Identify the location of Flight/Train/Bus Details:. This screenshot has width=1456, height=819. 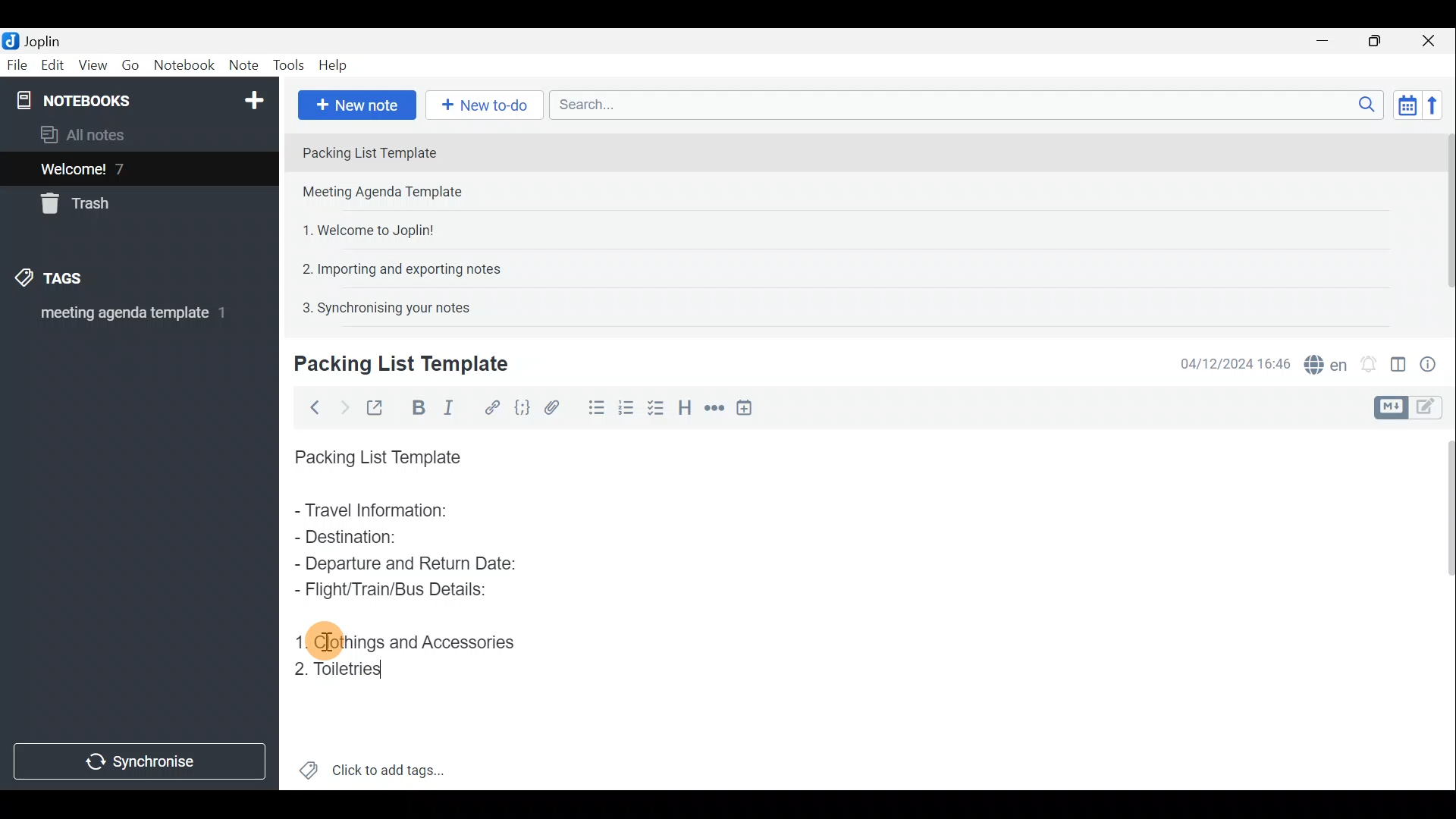
(395, 591).